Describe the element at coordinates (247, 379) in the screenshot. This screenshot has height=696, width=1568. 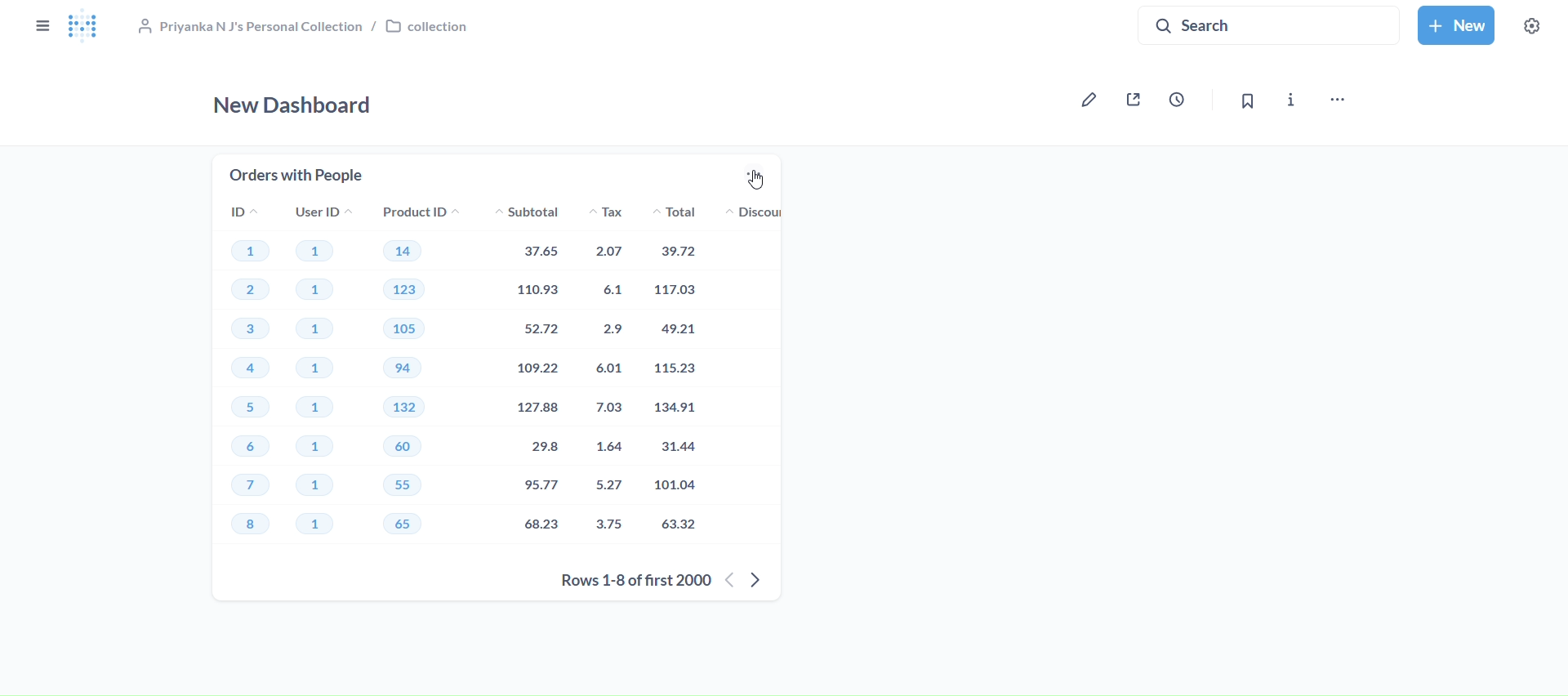
I see `id's` at that location.